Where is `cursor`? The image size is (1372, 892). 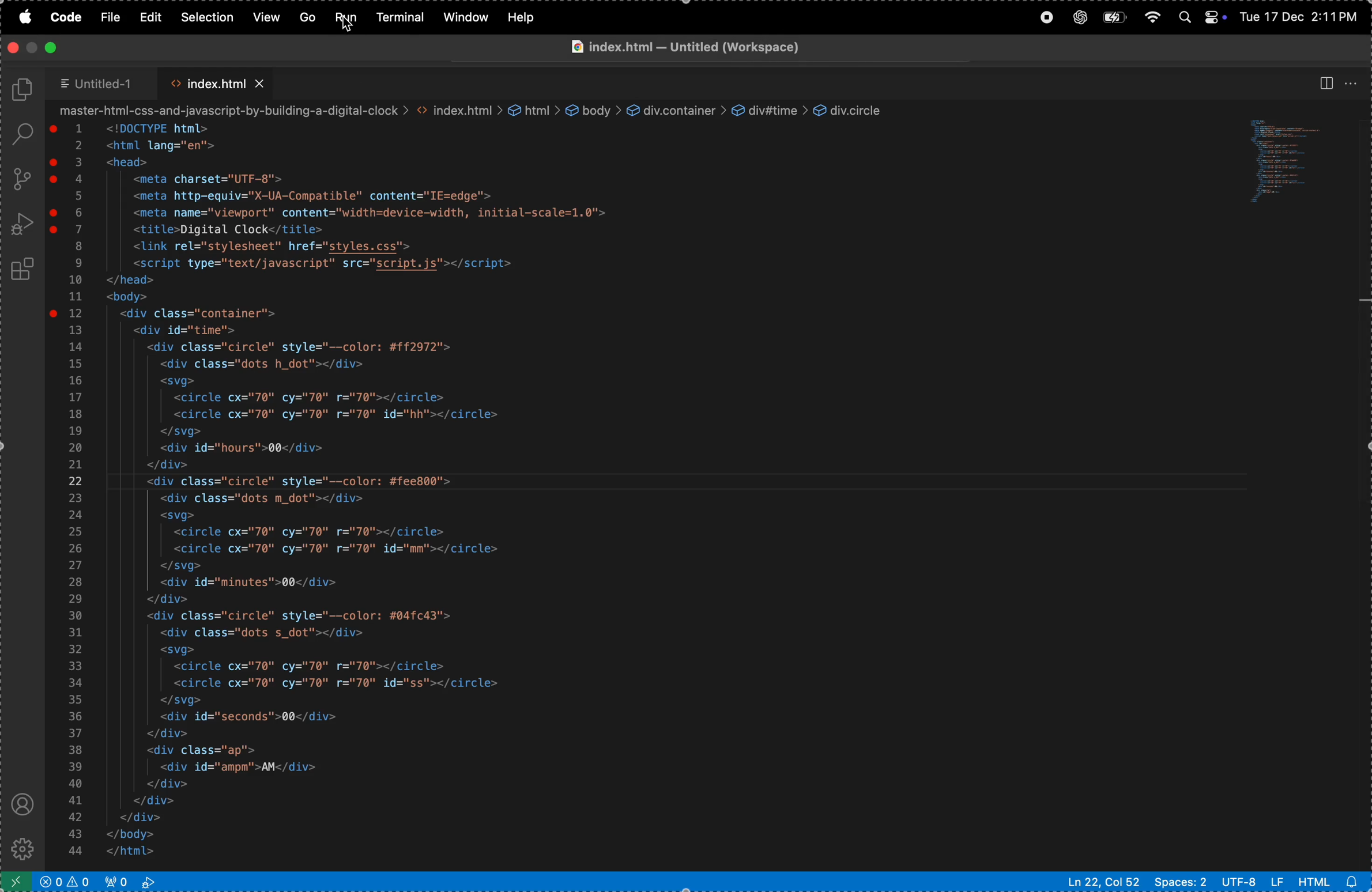
cursor is located at coordinates (350, 29).